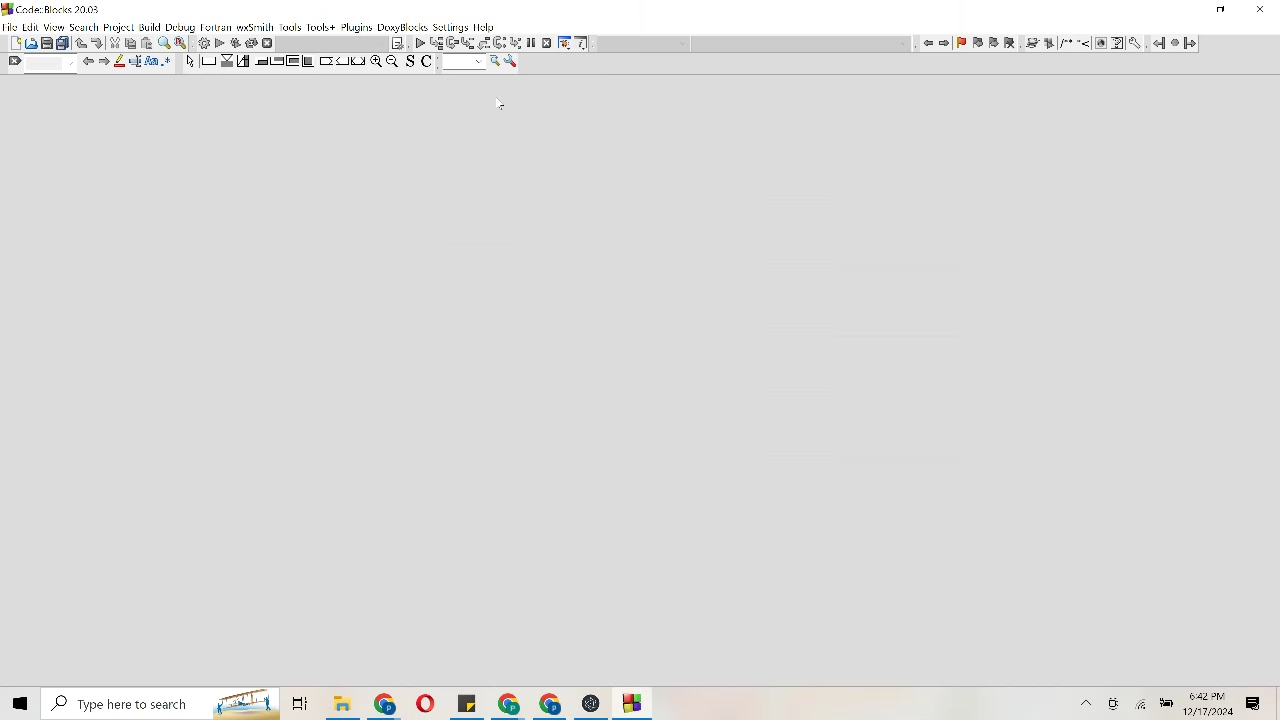 Image resolution: width=1280 pixels, height=720 pixels. What do you see at coordinates (150, 27) in the screenshot?
I see `Build` at bounding box center [150, 27].